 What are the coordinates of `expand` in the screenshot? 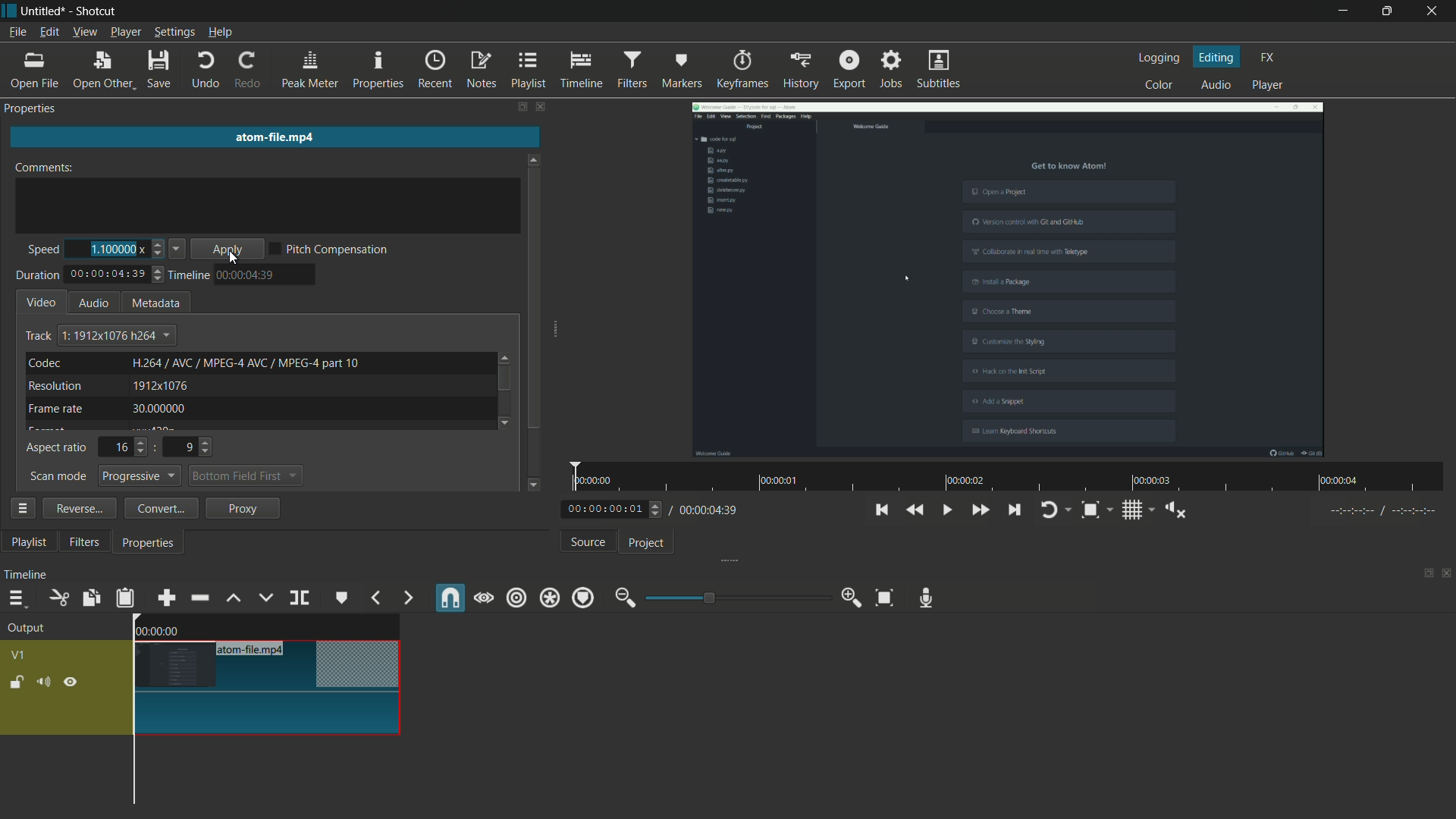 It's located at (724, 562).